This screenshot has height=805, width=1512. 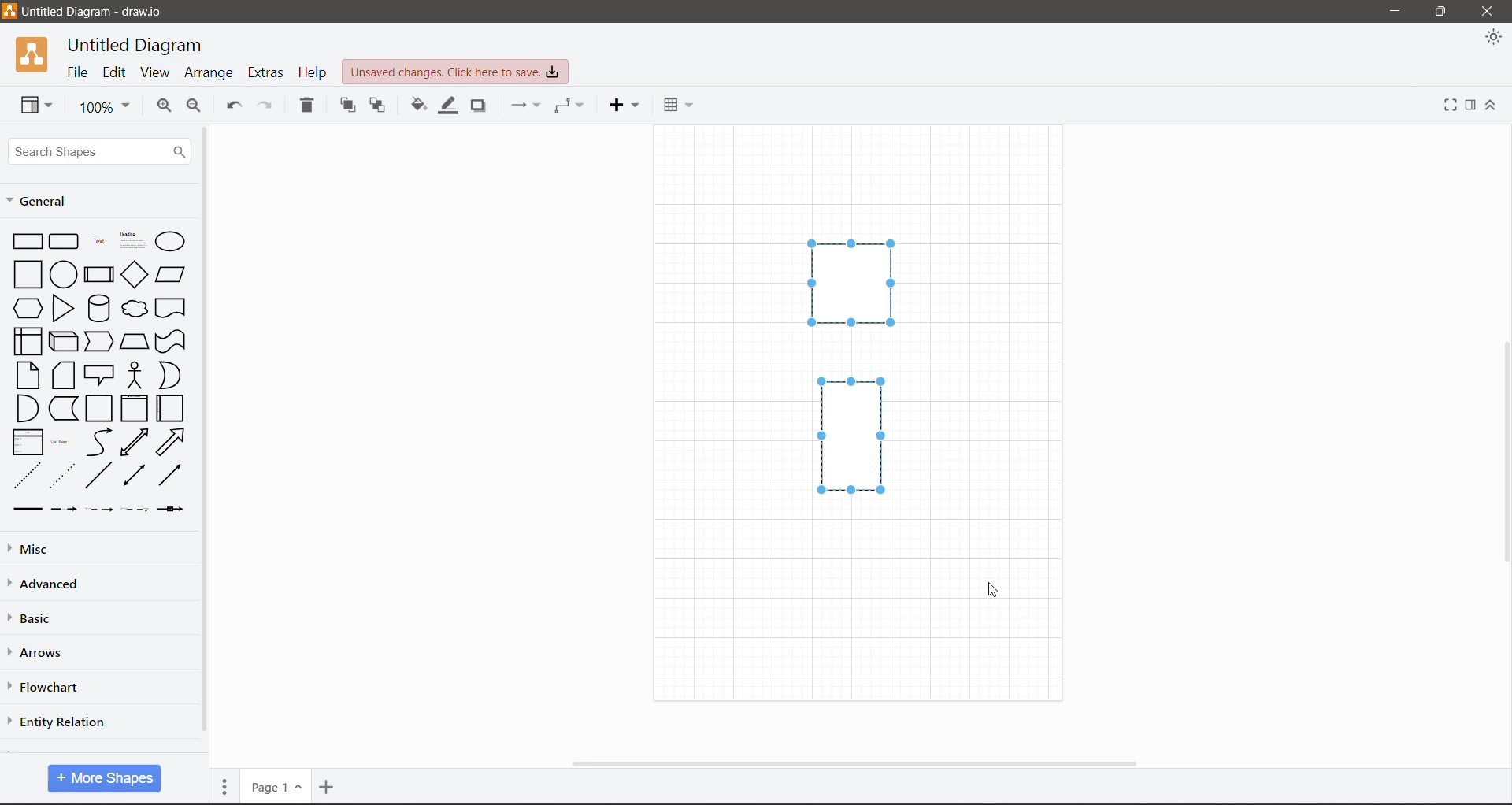 What do you see at coordinates (205, 436) in the screenshot?
I see `Vertical Scroll Bar` at bounding box center [205, 436].